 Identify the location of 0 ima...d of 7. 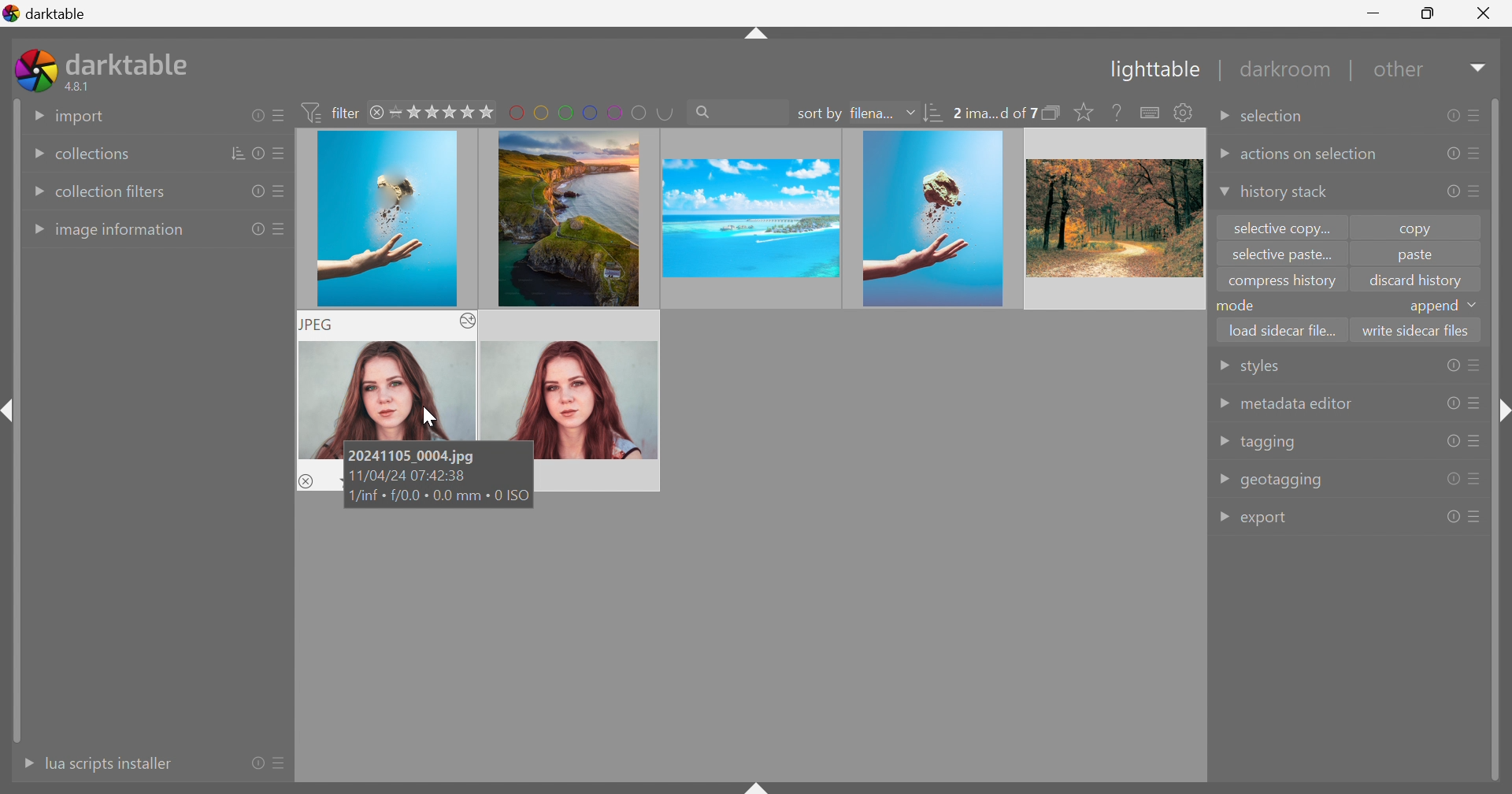
(995, 113).